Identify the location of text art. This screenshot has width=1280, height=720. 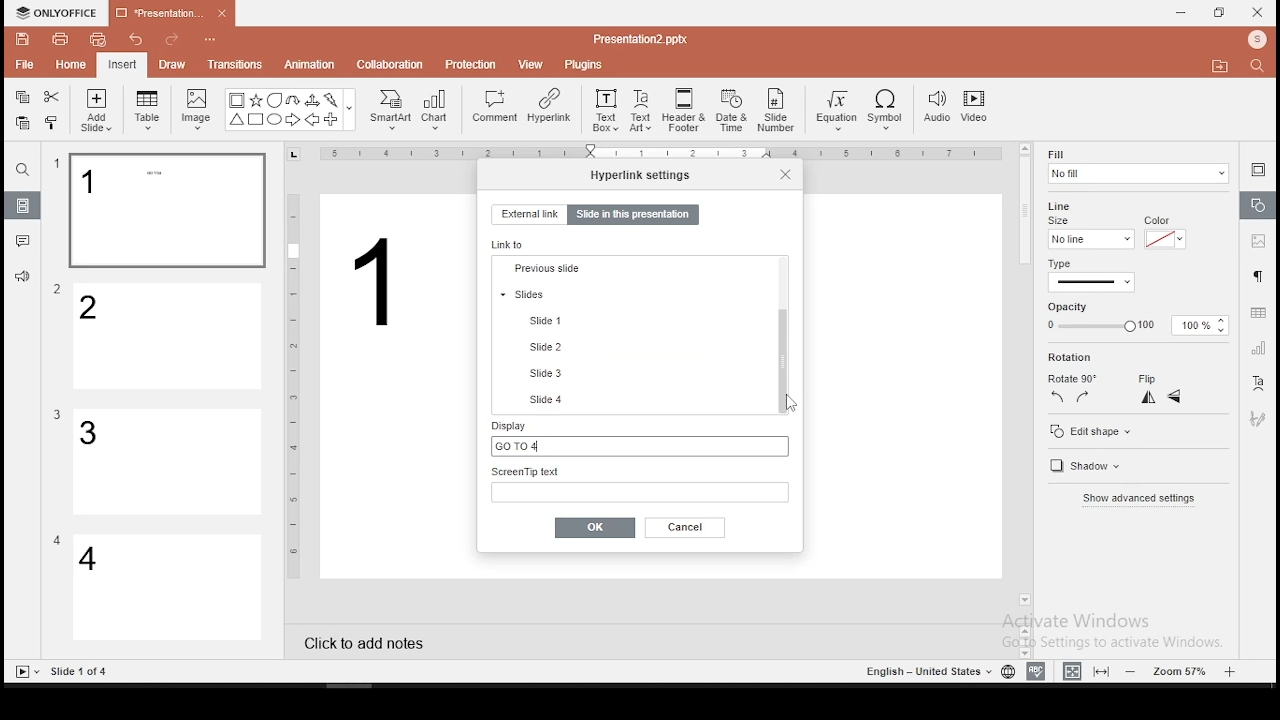
(641, 109).